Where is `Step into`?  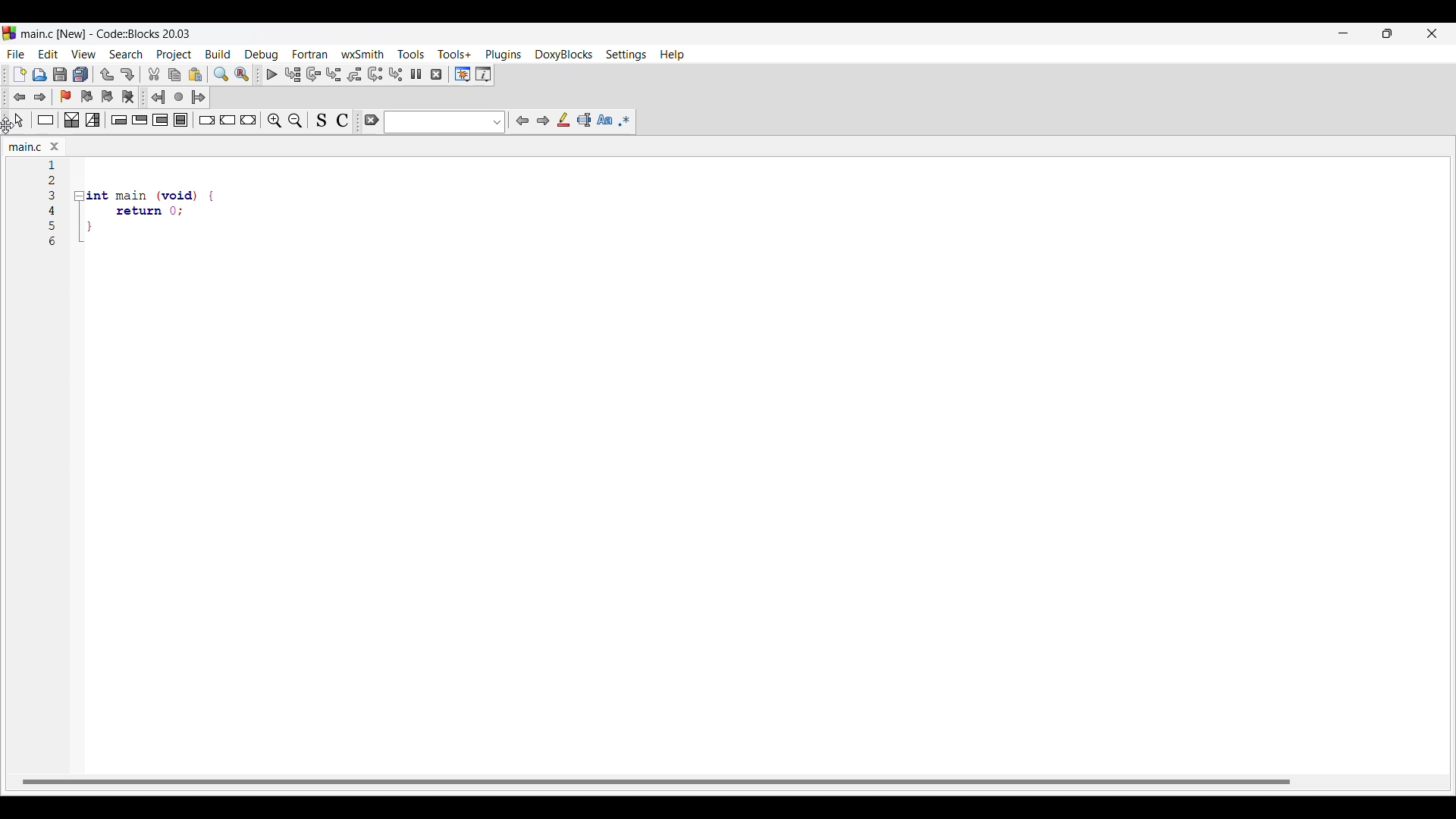 Step into is located at coordinates (334, 74).